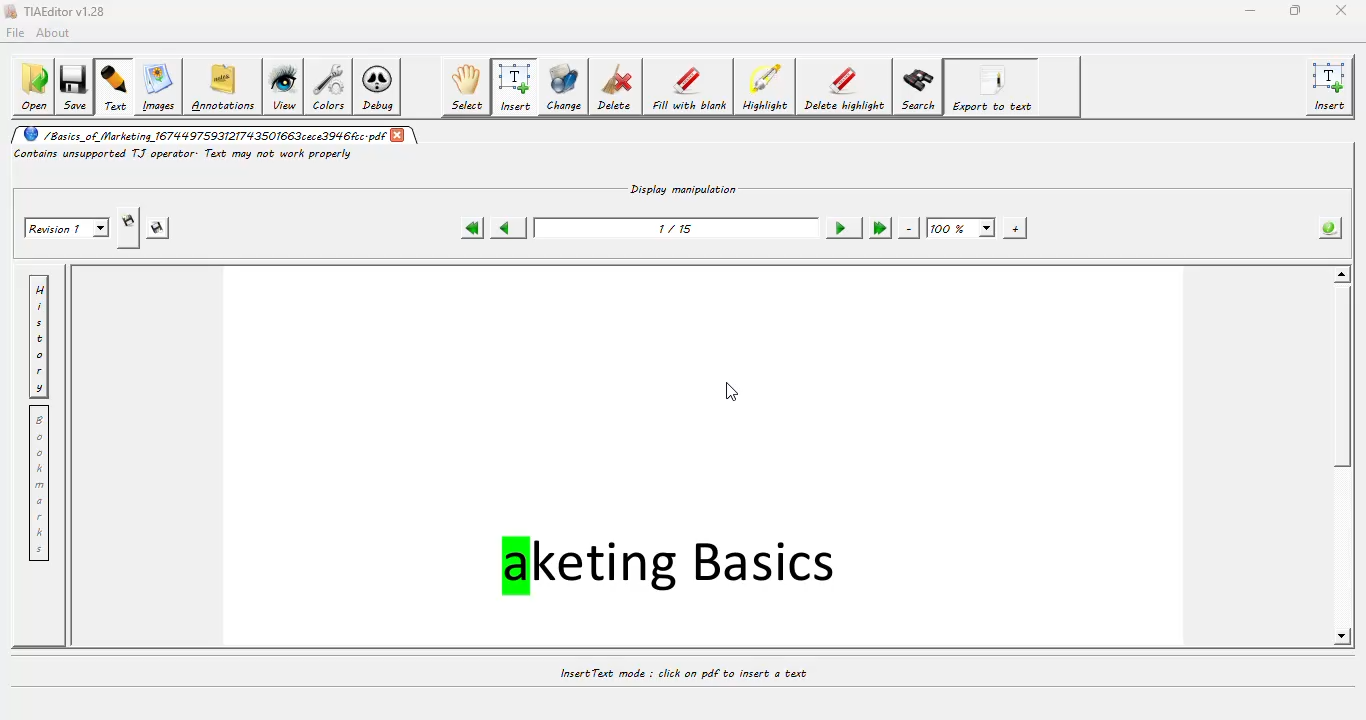  What do you see at coordinates (1340, 10) in the screenshot?
I see `close` at bounding box center [1340, 10].